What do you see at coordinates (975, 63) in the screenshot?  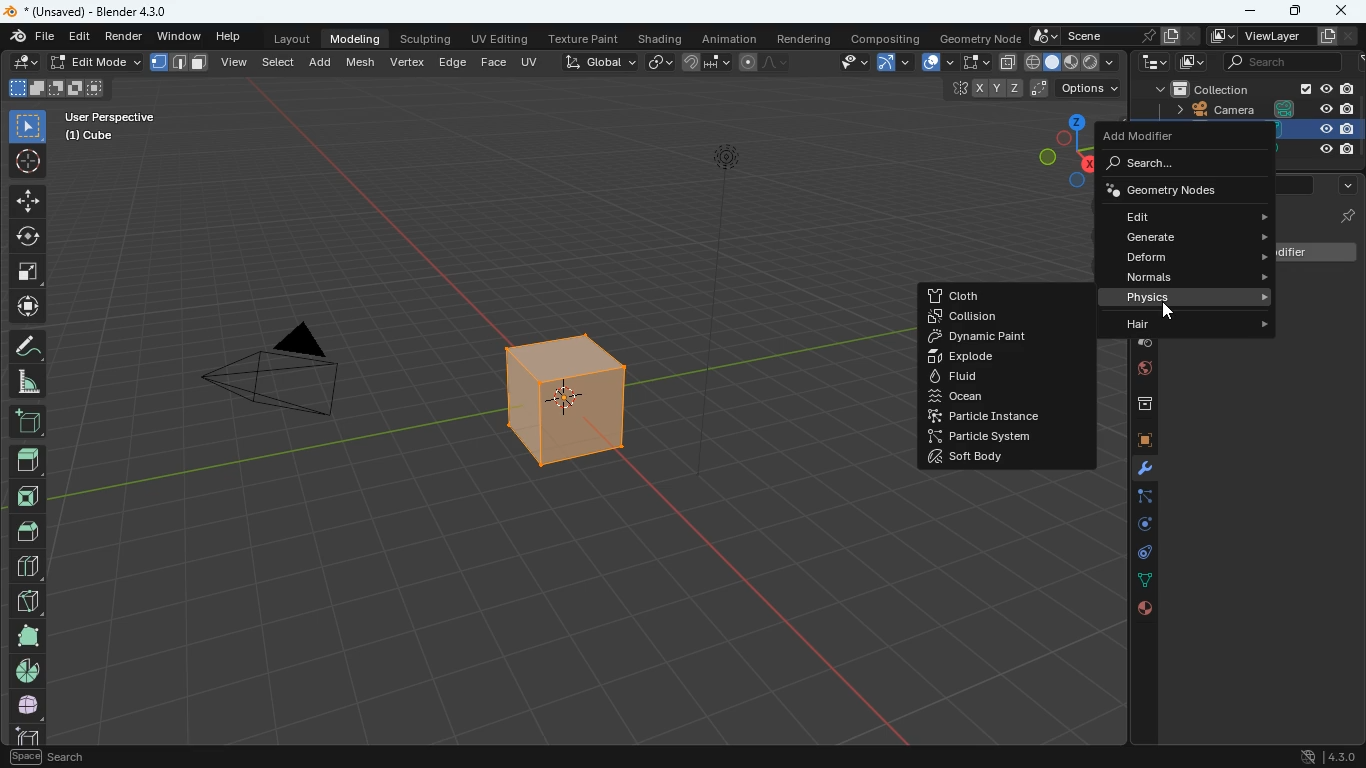 I see `select` at bounding box center [975, 63].